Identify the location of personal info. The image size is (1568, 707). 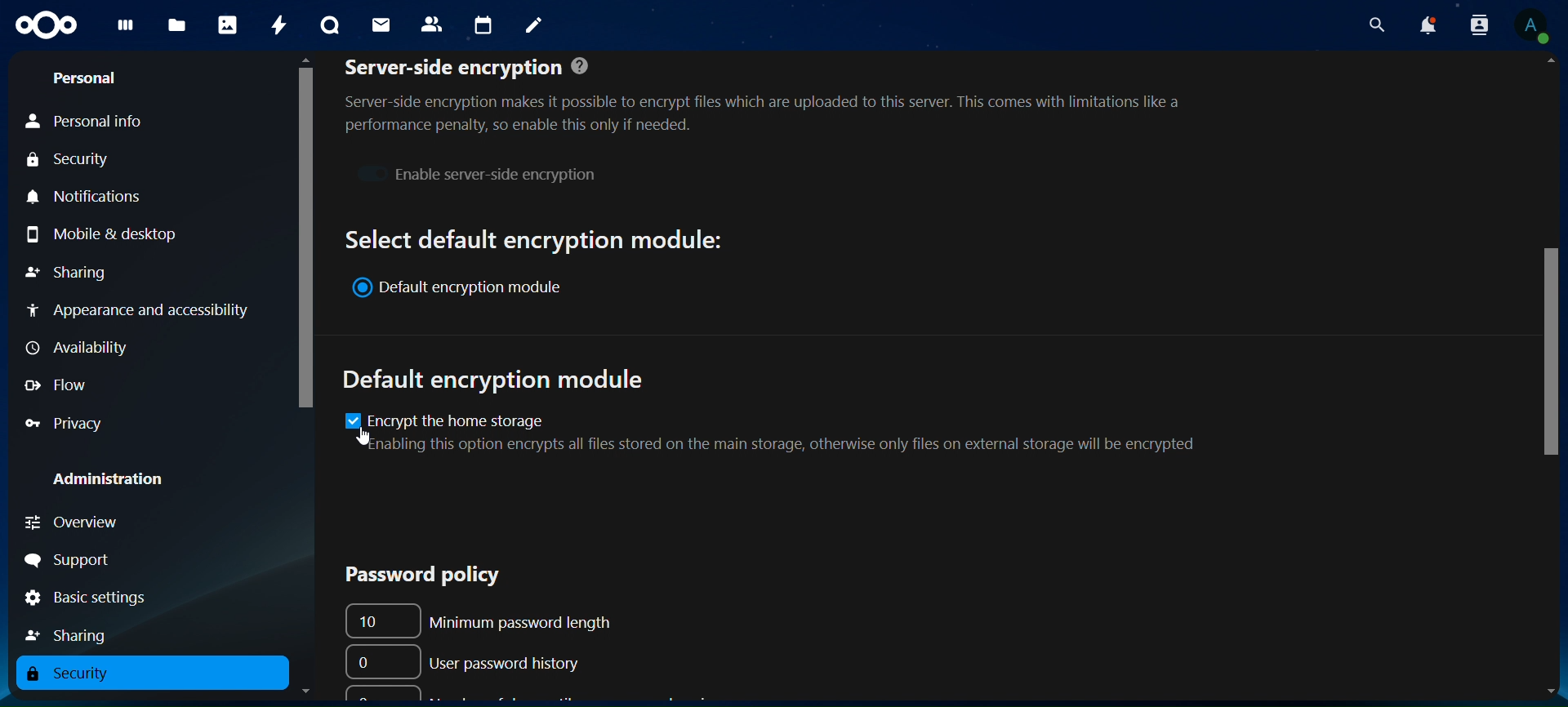
(87, 122).